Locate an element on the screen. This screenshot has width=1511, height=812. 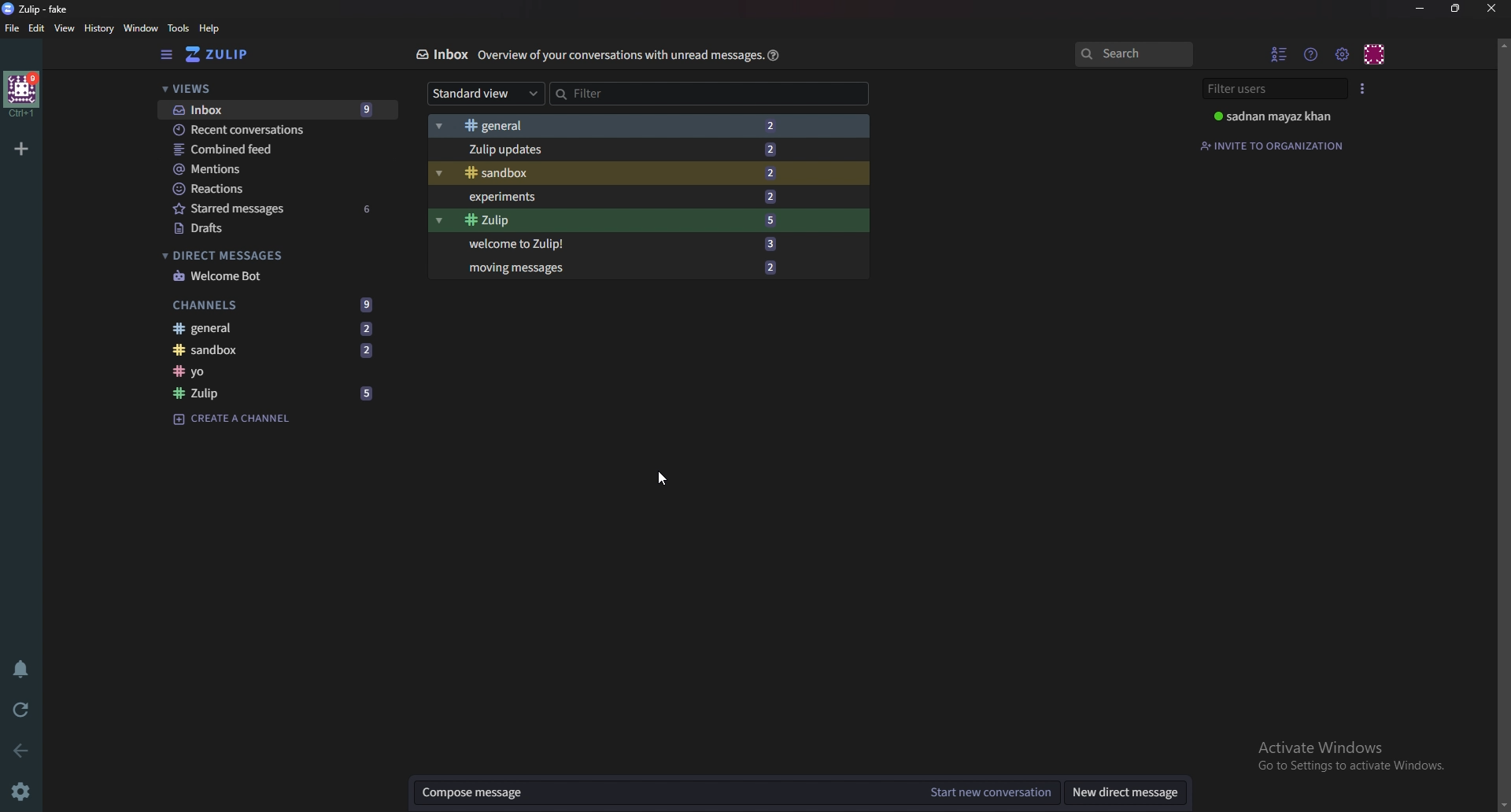
Personal menu is located at coordinates (1375, 54).